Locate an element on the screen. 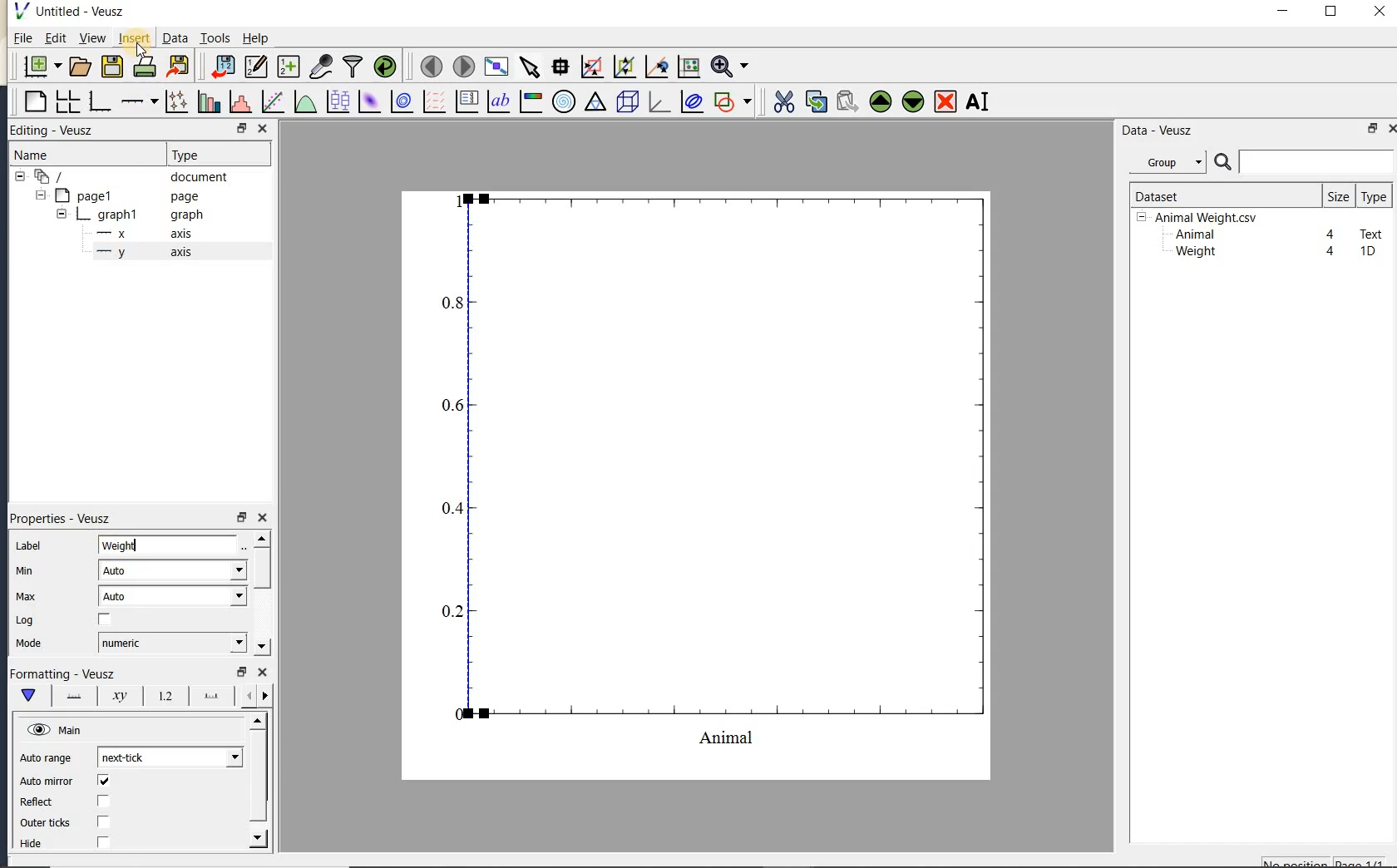 Image resolution: width=1397 pixels, height=868 pixels. check/uncheck is located at coordinates (102, 802).